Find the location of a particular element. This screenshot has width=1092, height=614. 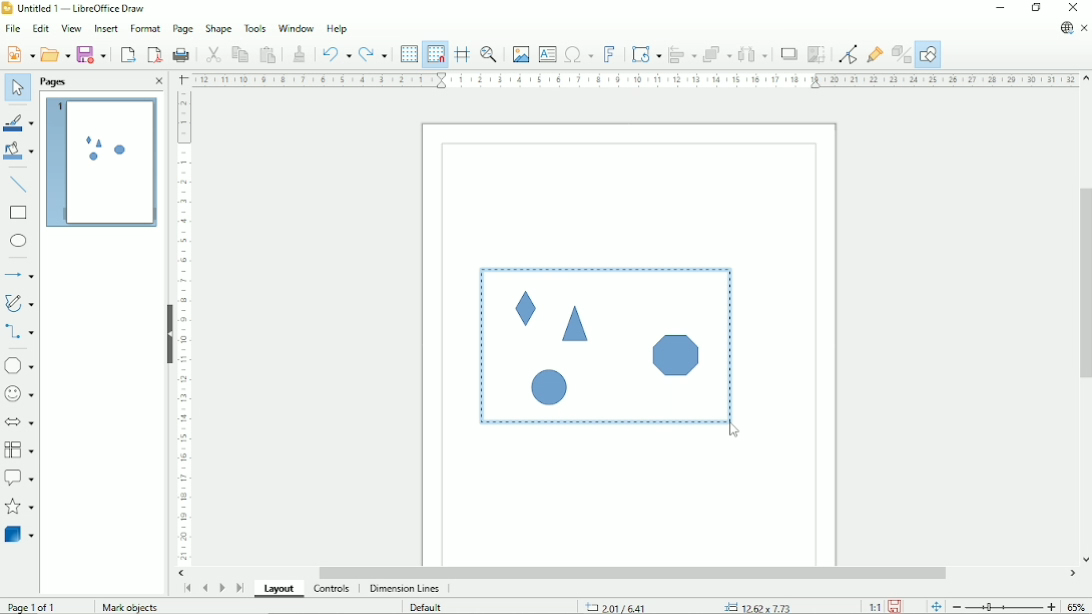

Export is located at coordinates (128, 54).